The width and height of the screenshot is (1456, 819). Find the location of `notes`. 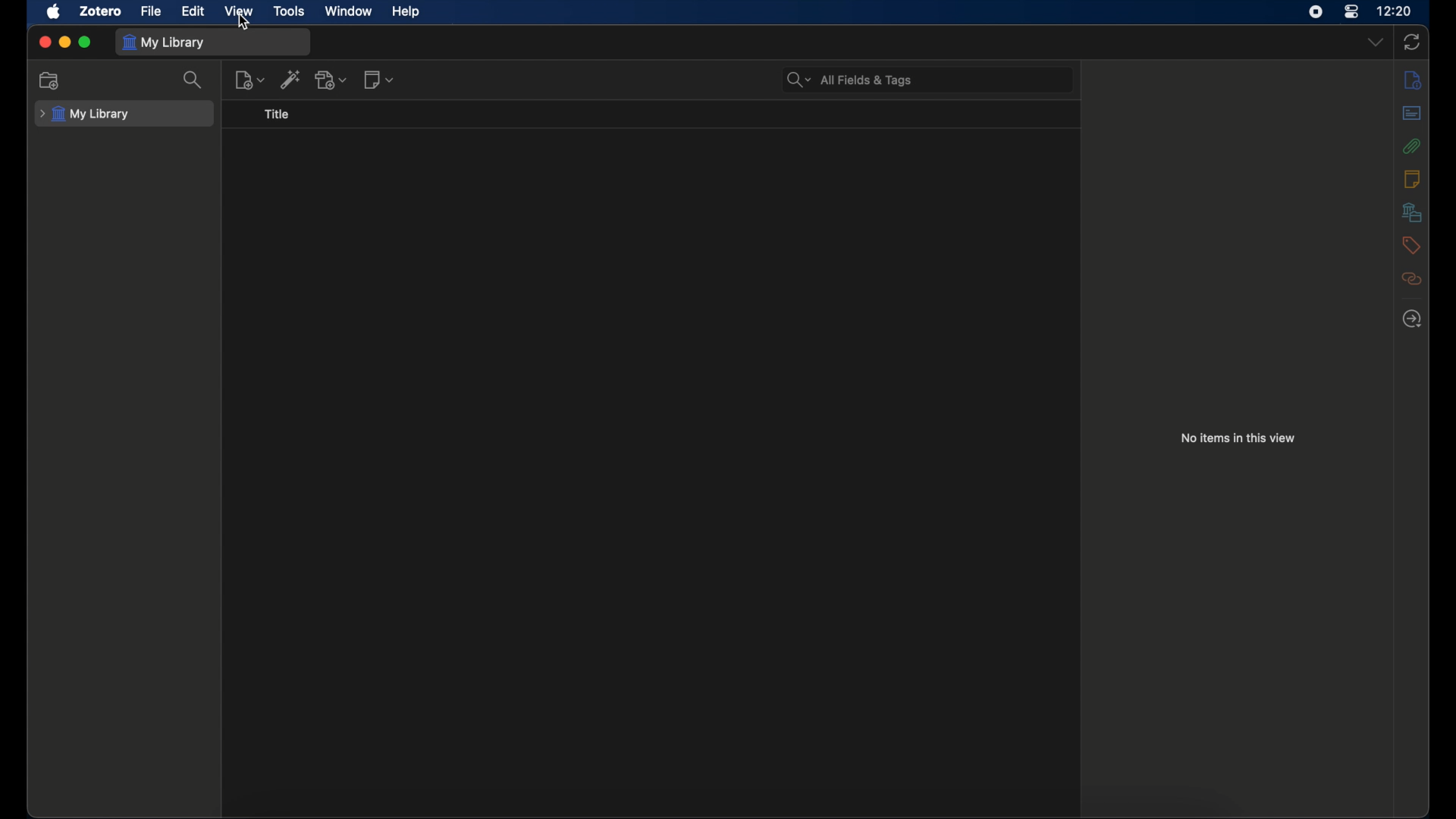

notes is located at coordinates (1412, 178).